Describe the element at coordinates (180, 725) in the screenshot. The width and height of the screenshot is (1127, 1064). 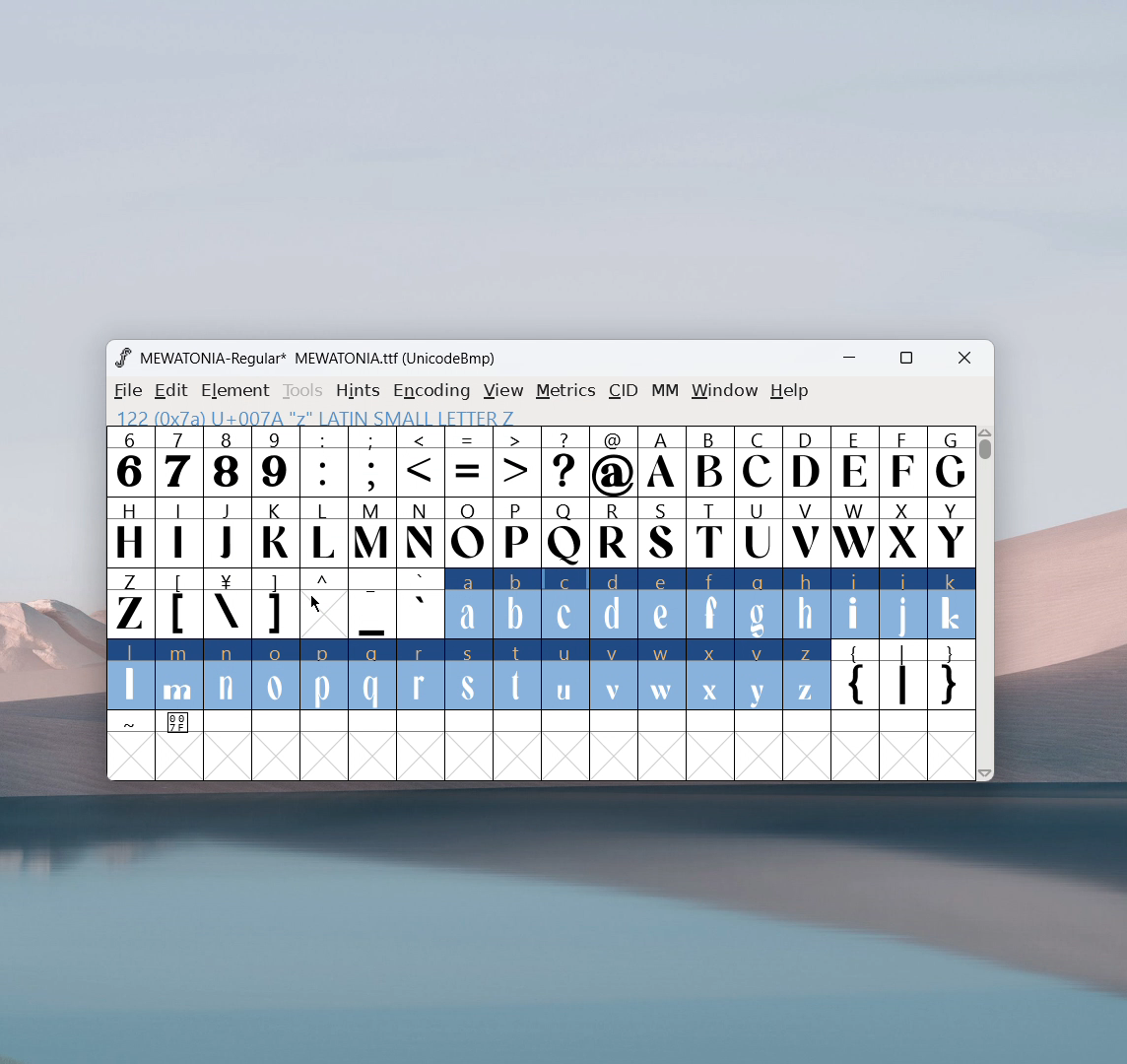
I see `0 0 7 F` at that location.